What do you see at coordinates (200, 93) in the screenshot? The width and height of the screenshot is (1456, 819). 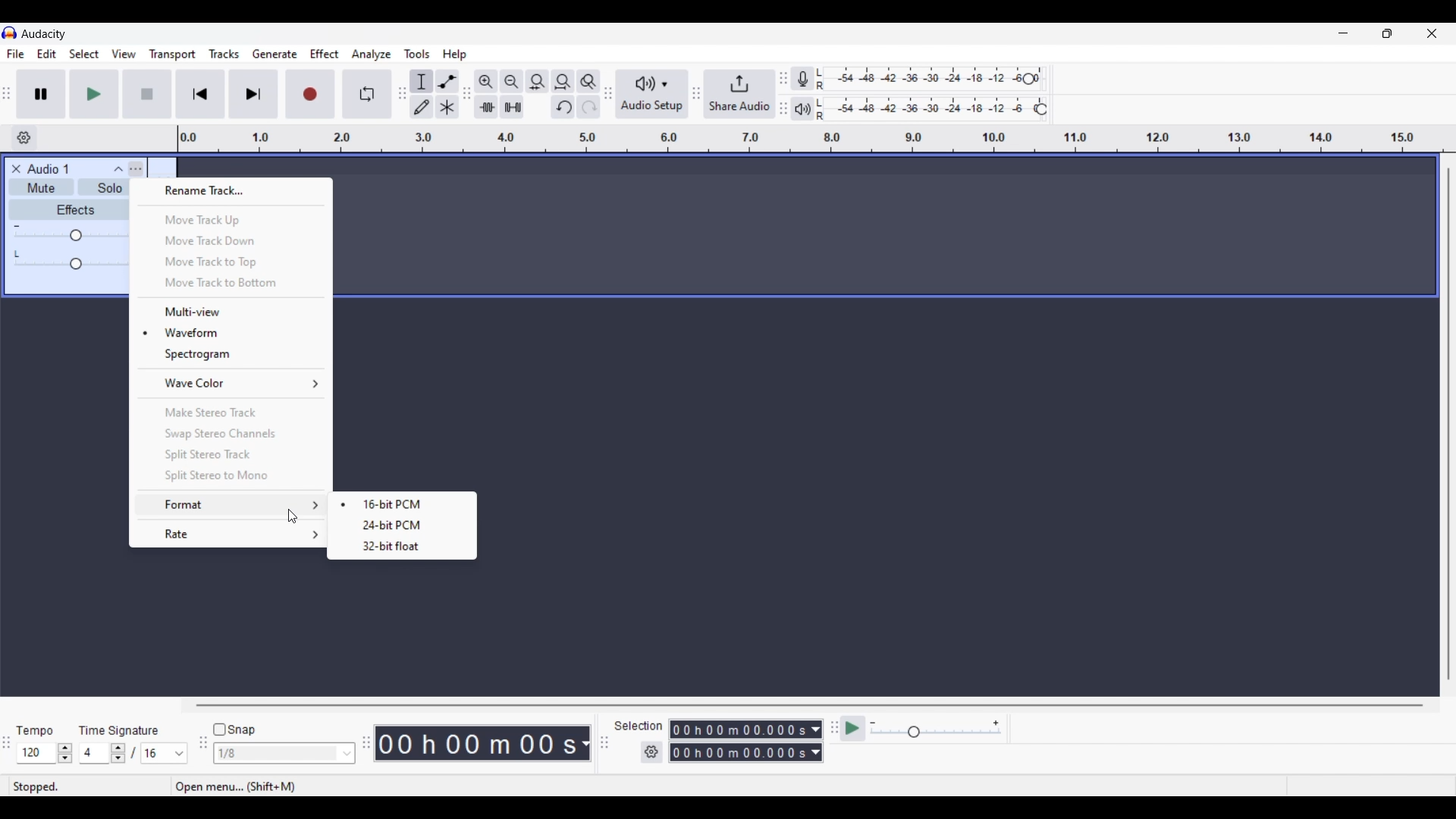 I see `Skip to start/Select to start` at bounding box center [200, 93].